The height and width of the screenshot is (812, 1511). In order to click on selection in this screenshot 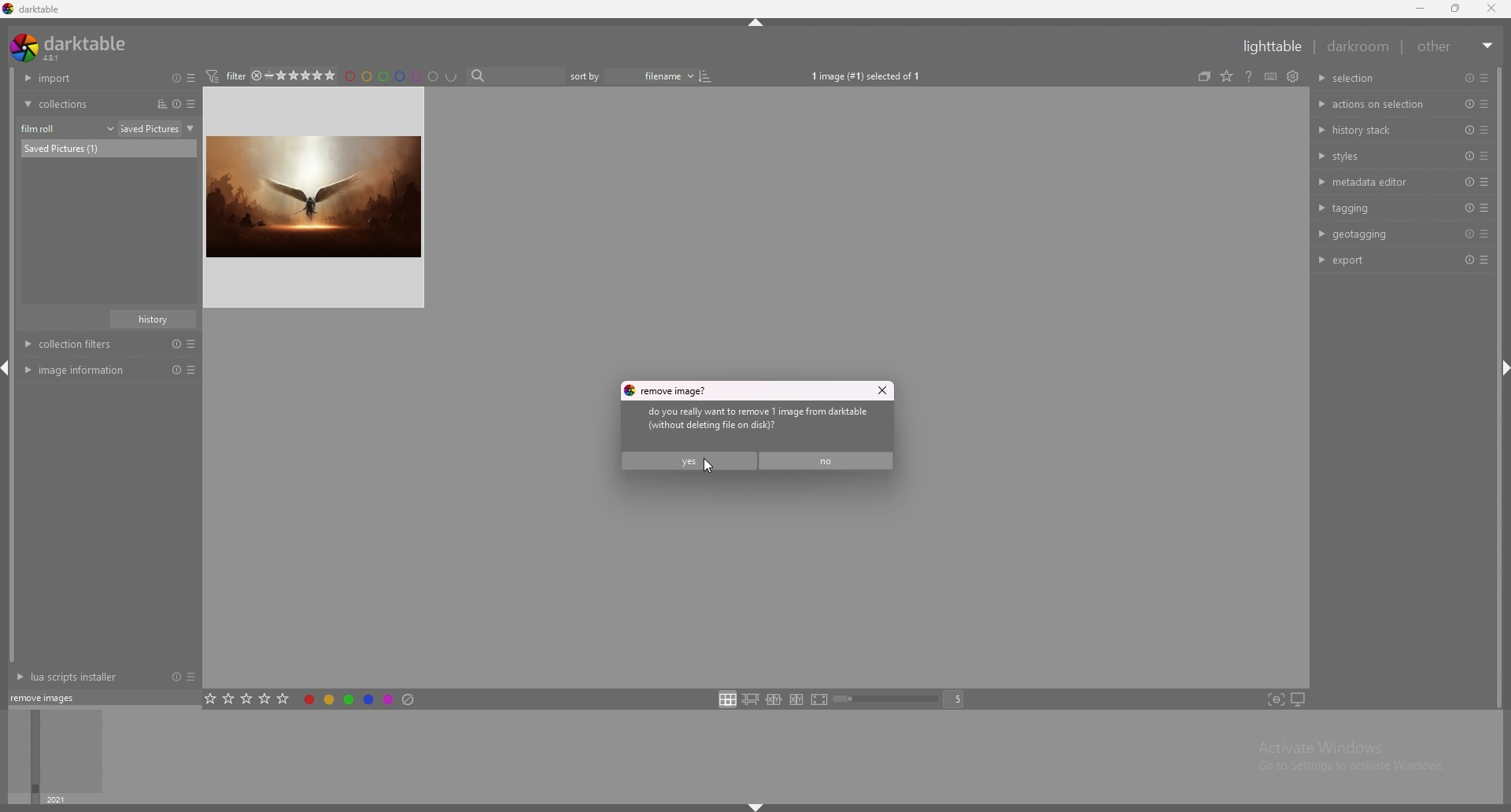, I will do `click(1361, 78)`.